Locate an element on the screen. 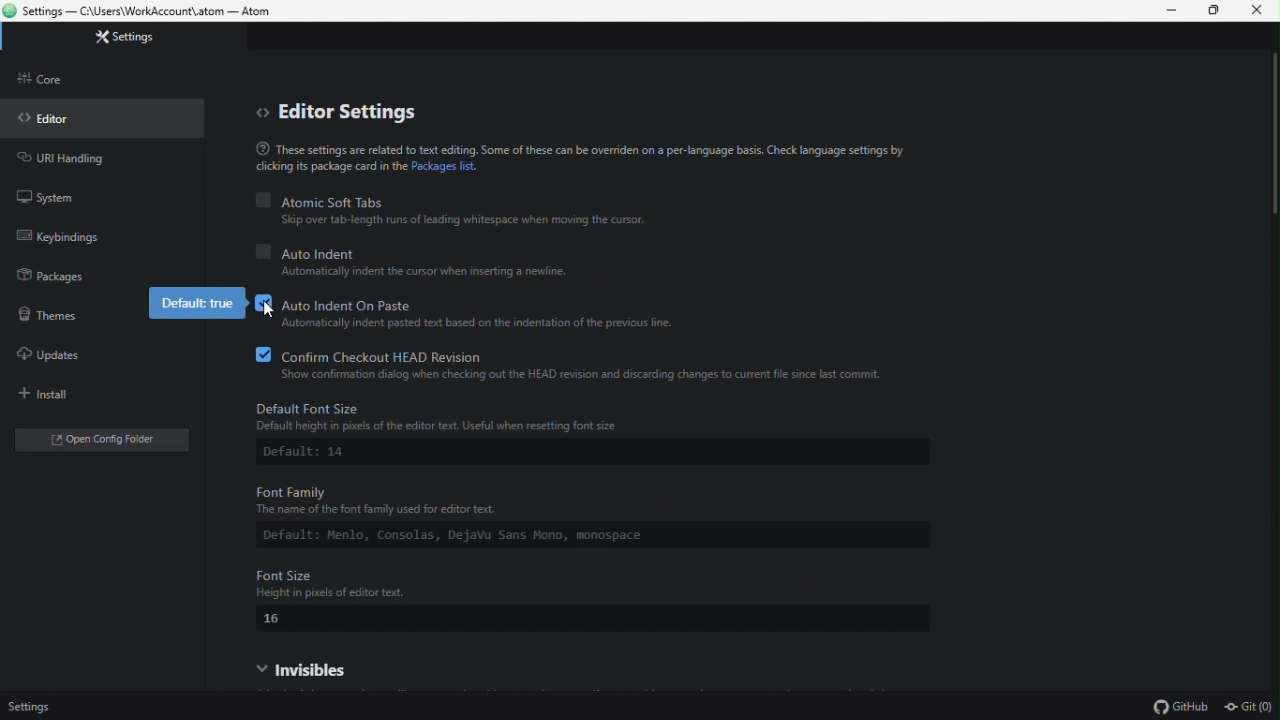 The width and height of the screenshot is (1280, 720). ‘Show confirmation dialog when checking out the HEAD revision and discarding changes to current file since last commit. is located at coordinates (587, 375).